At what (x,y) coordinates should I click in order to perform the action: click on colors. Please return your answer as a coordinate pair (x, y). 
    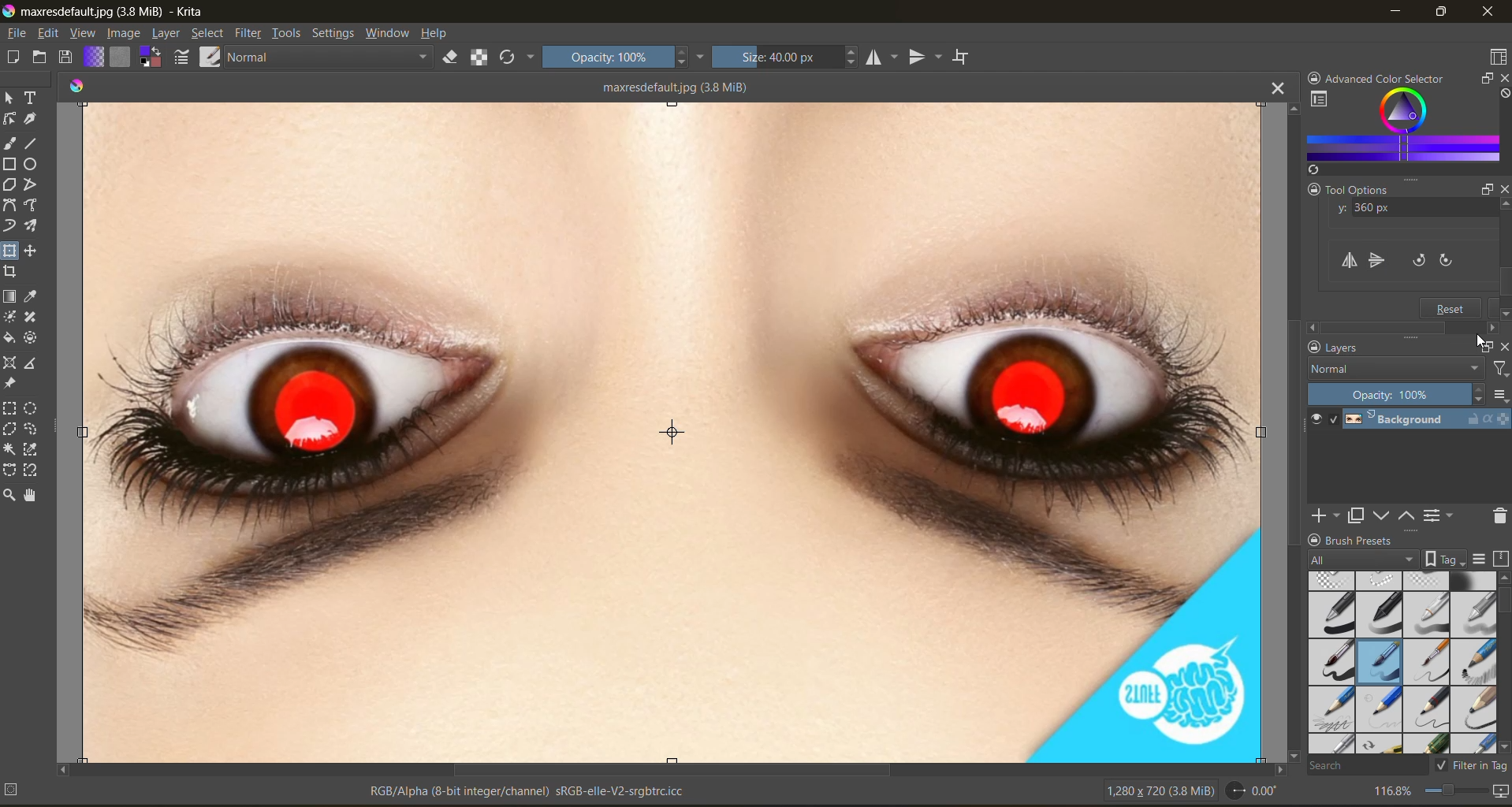
    Looking at the image, I should click on (79, 83).